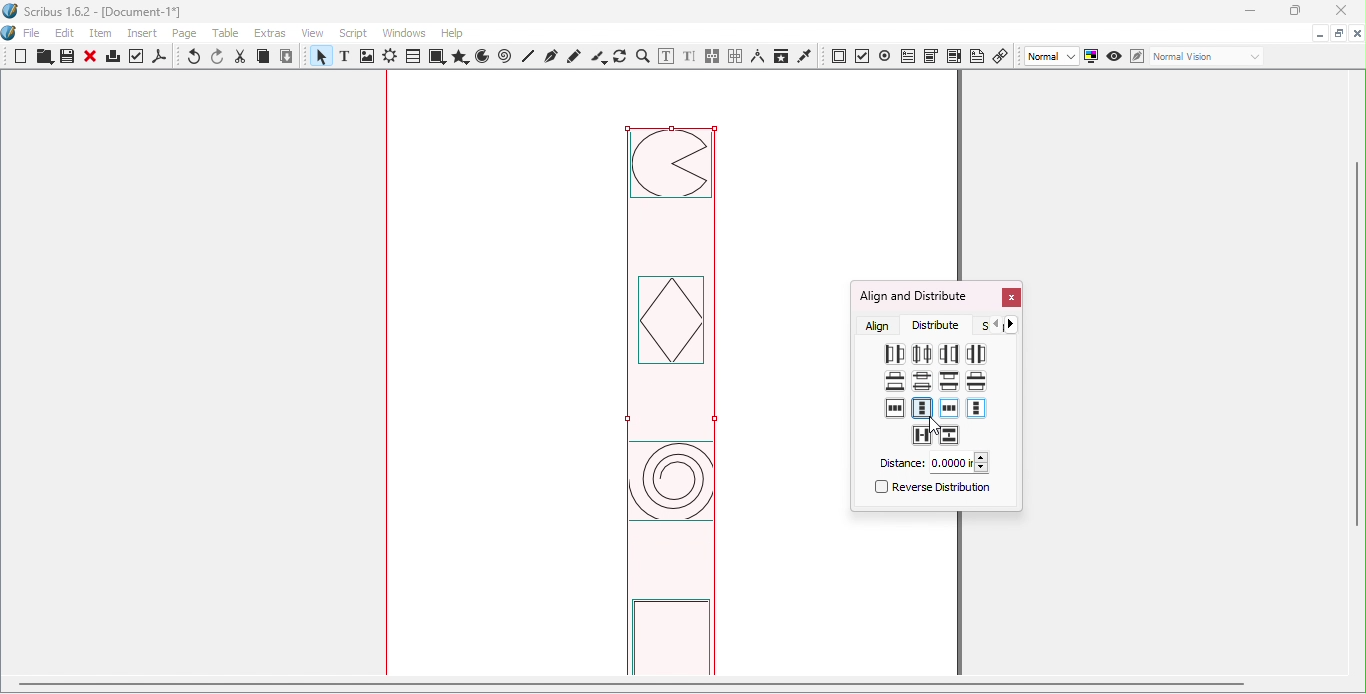 The width and height of the screenshot is (1366, 694). What do you see at coordinates (839, 57) in the screenshot?
I see `PDF push button` at bounding box center [839, 57].